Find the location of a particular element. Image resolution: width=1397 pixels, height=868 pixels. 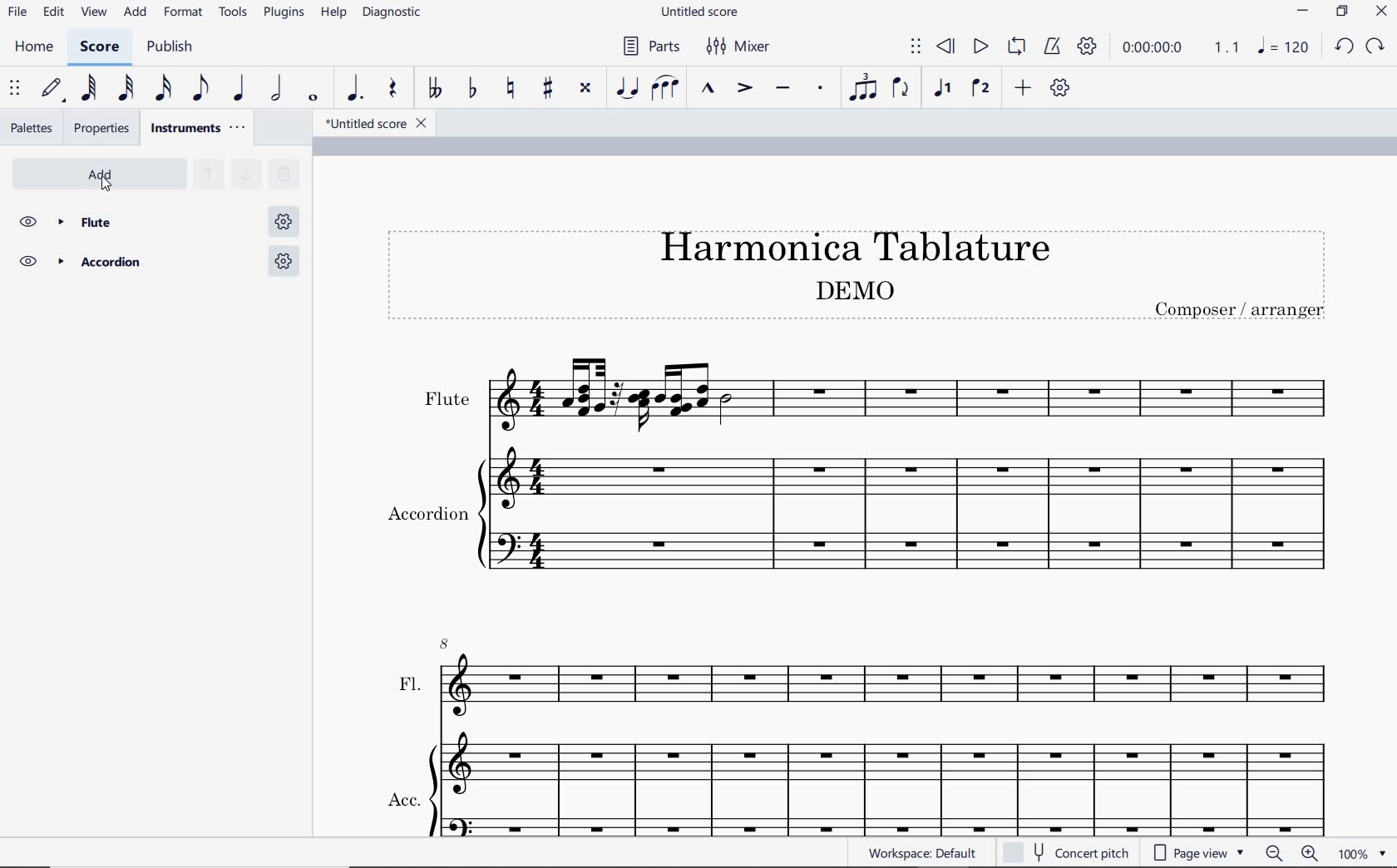

diagnostic is located at coordinates (392, 13).